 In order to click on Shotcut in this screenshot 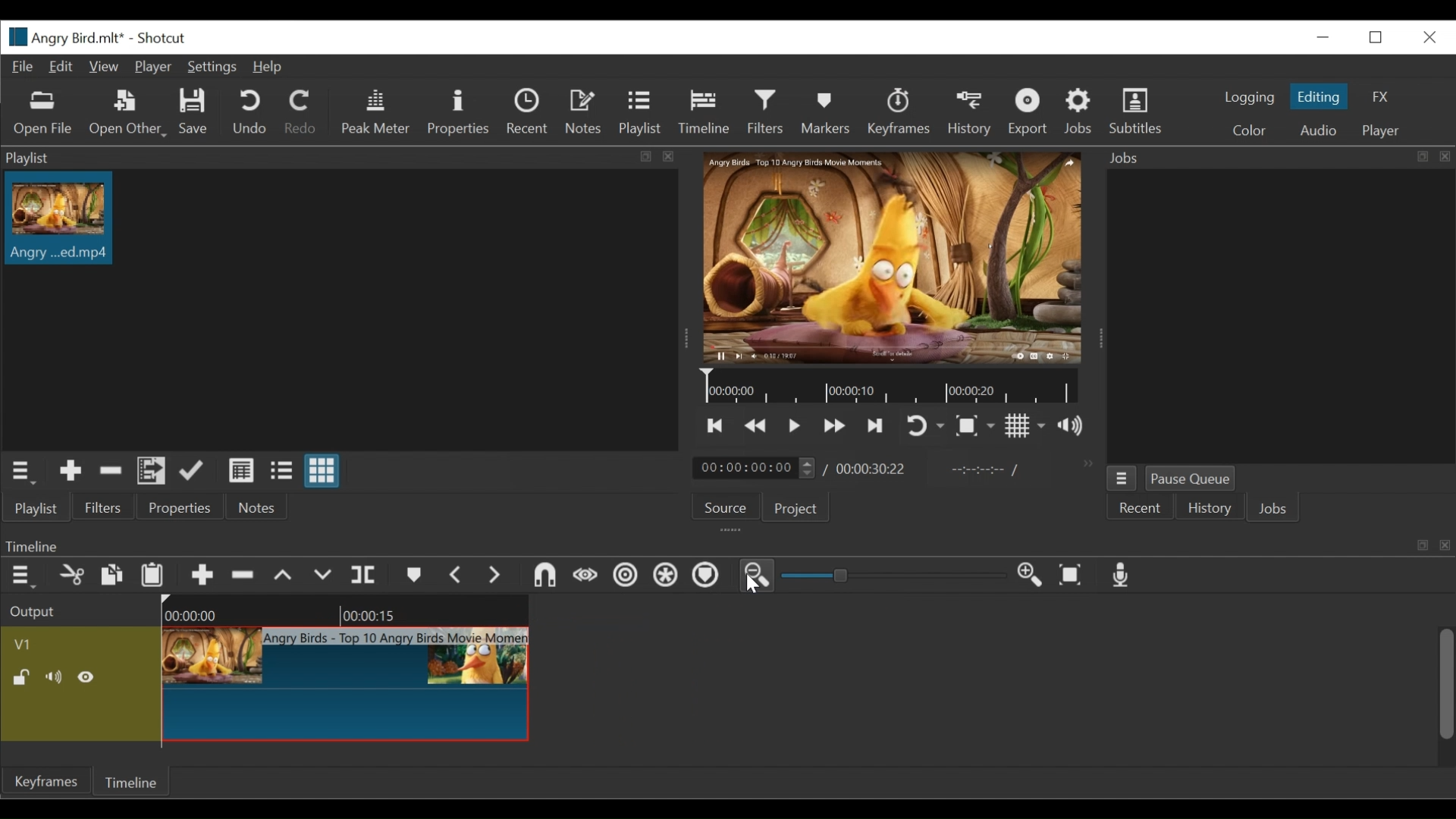, I will do `click(166, 37)`.